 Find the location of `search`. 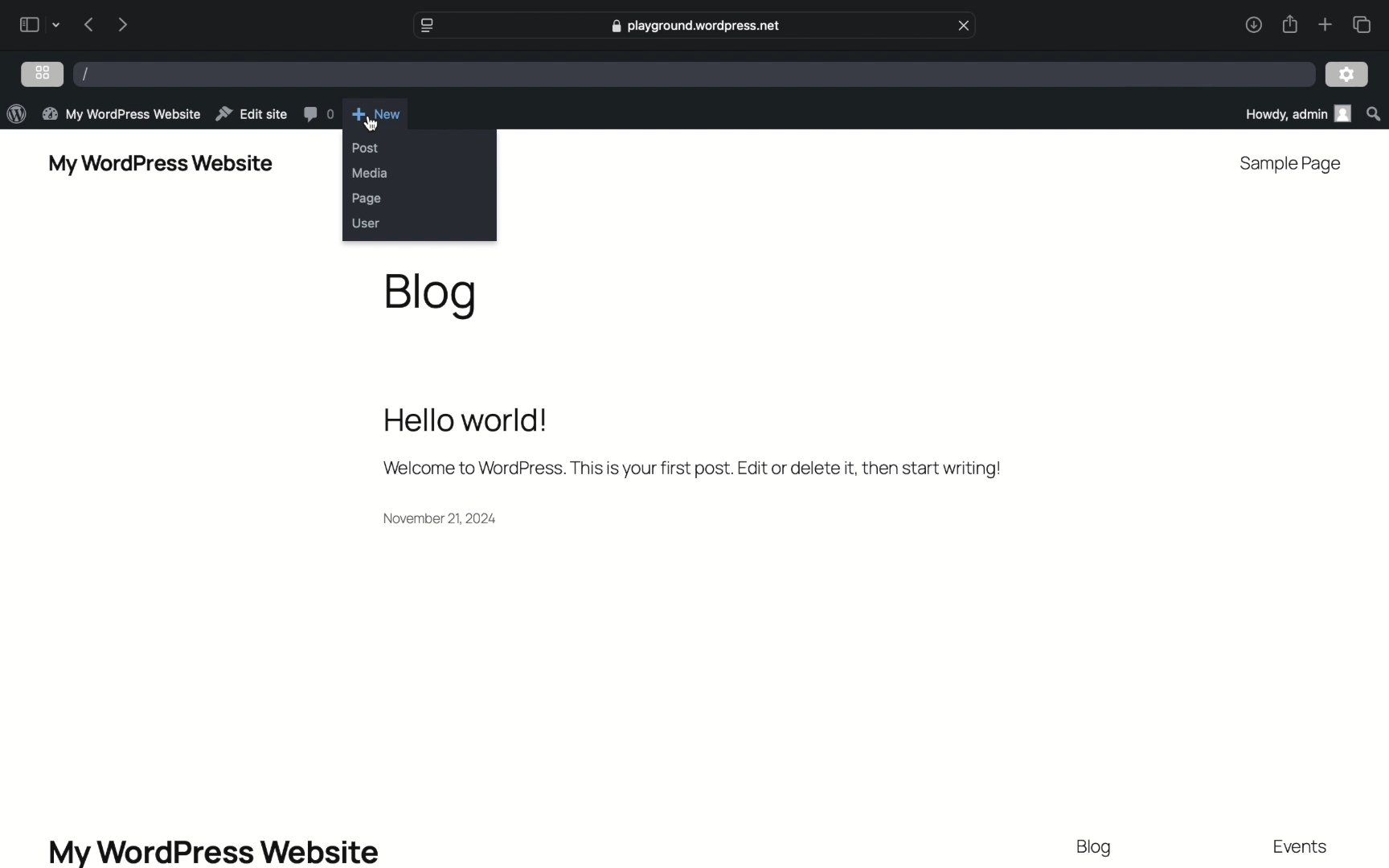

search is located at coordinates (1373, 113).